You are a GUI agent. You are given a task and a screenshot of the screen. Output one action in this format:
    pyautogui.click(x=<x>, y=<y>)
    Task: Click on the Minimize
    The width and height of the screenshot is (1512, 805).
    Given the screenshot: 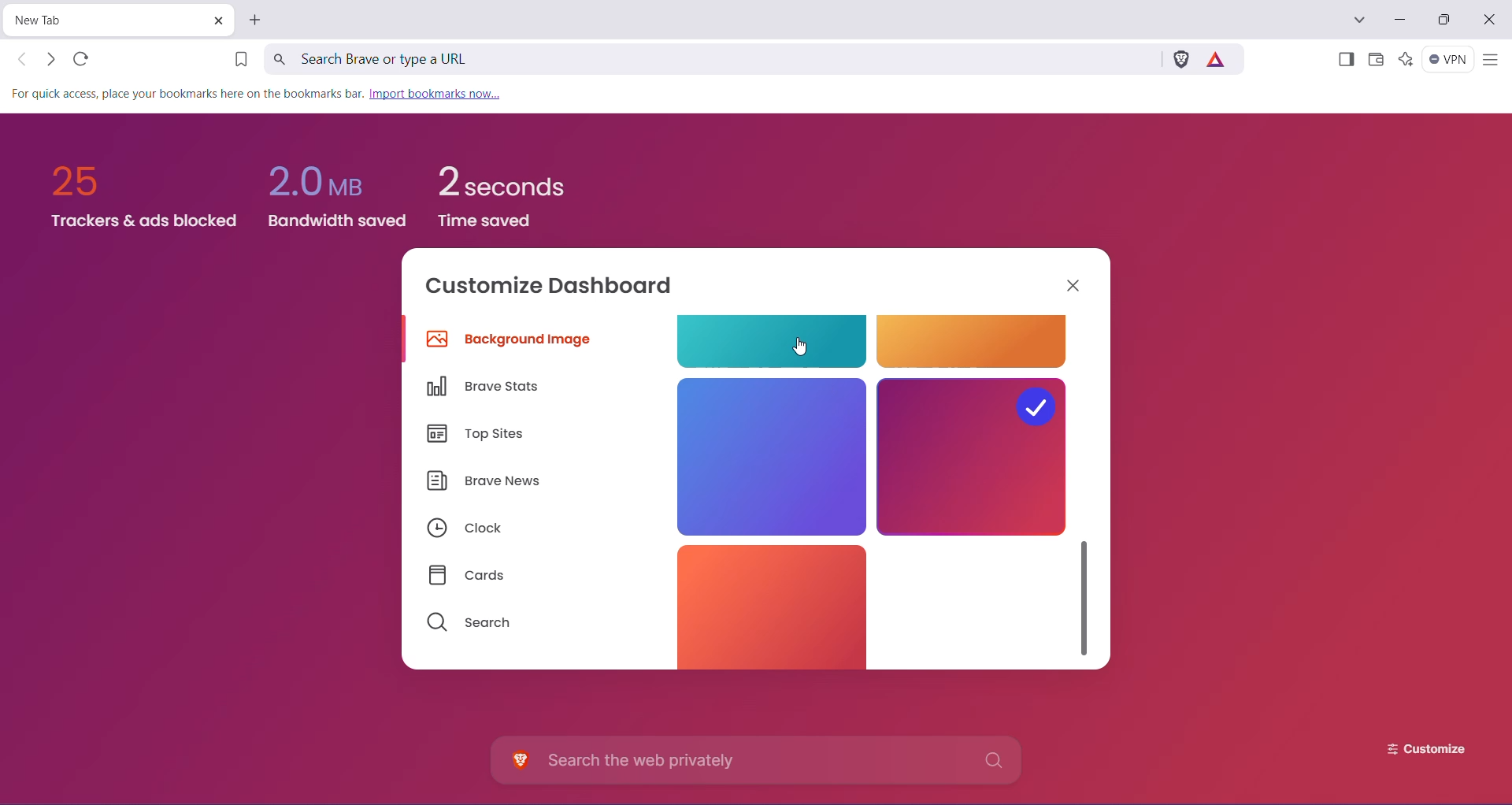 What is the action you would take?
    pyautogui.click(x=1399, y=20)
    